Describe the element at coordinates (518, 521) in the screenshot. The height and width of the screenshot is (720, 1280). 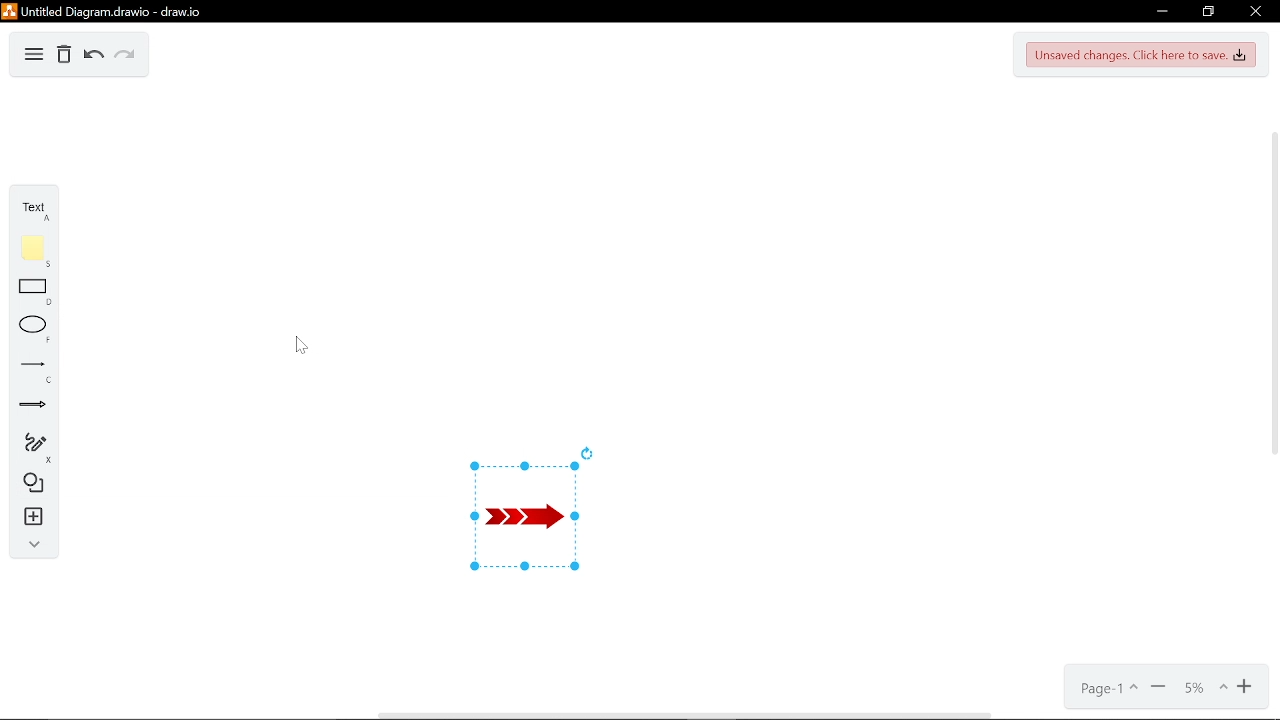
I see `Custom arrow added` at that location.